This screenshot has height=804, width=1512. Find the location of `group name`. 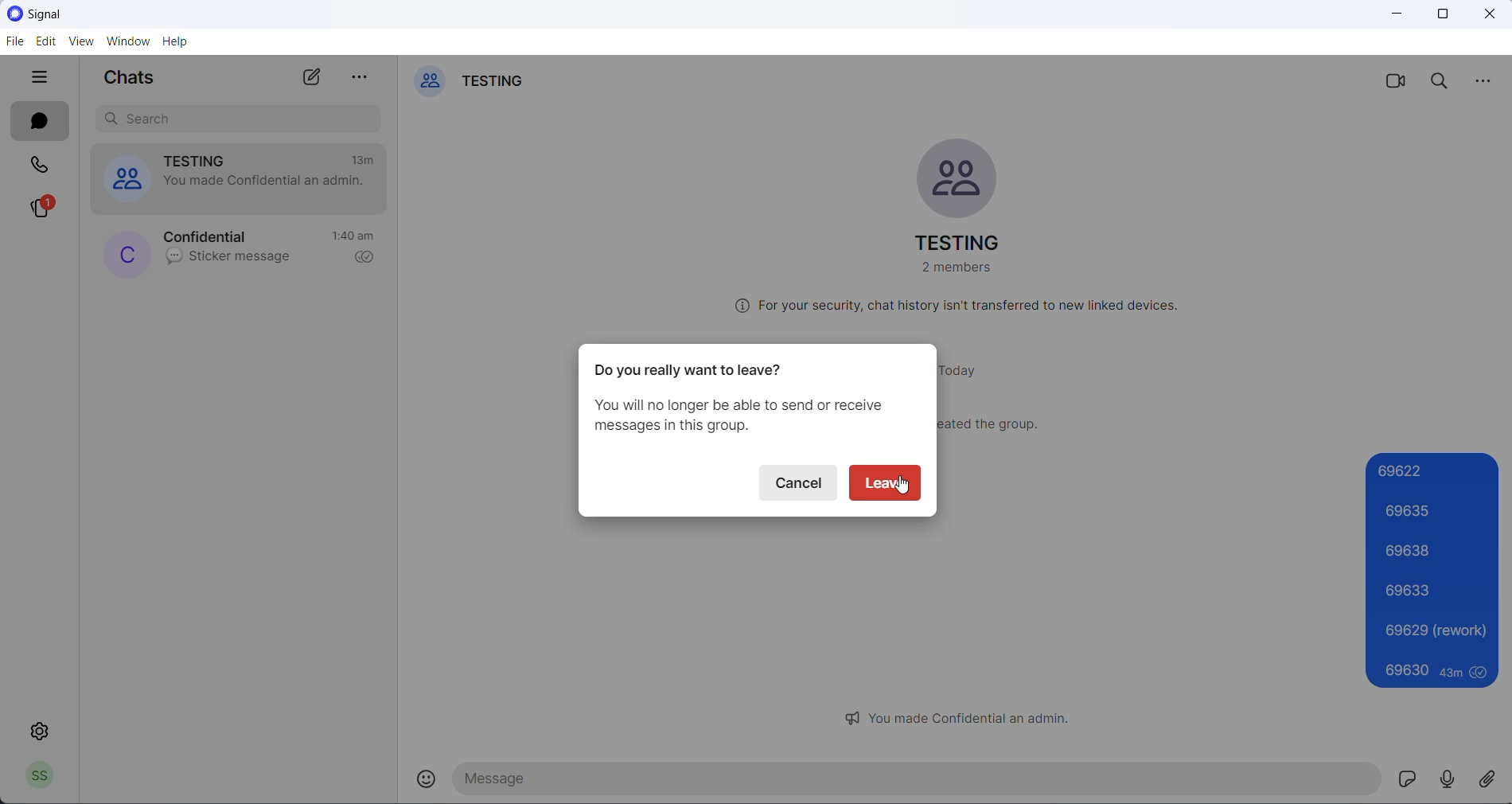

group name is located at coordinates (207, 161).